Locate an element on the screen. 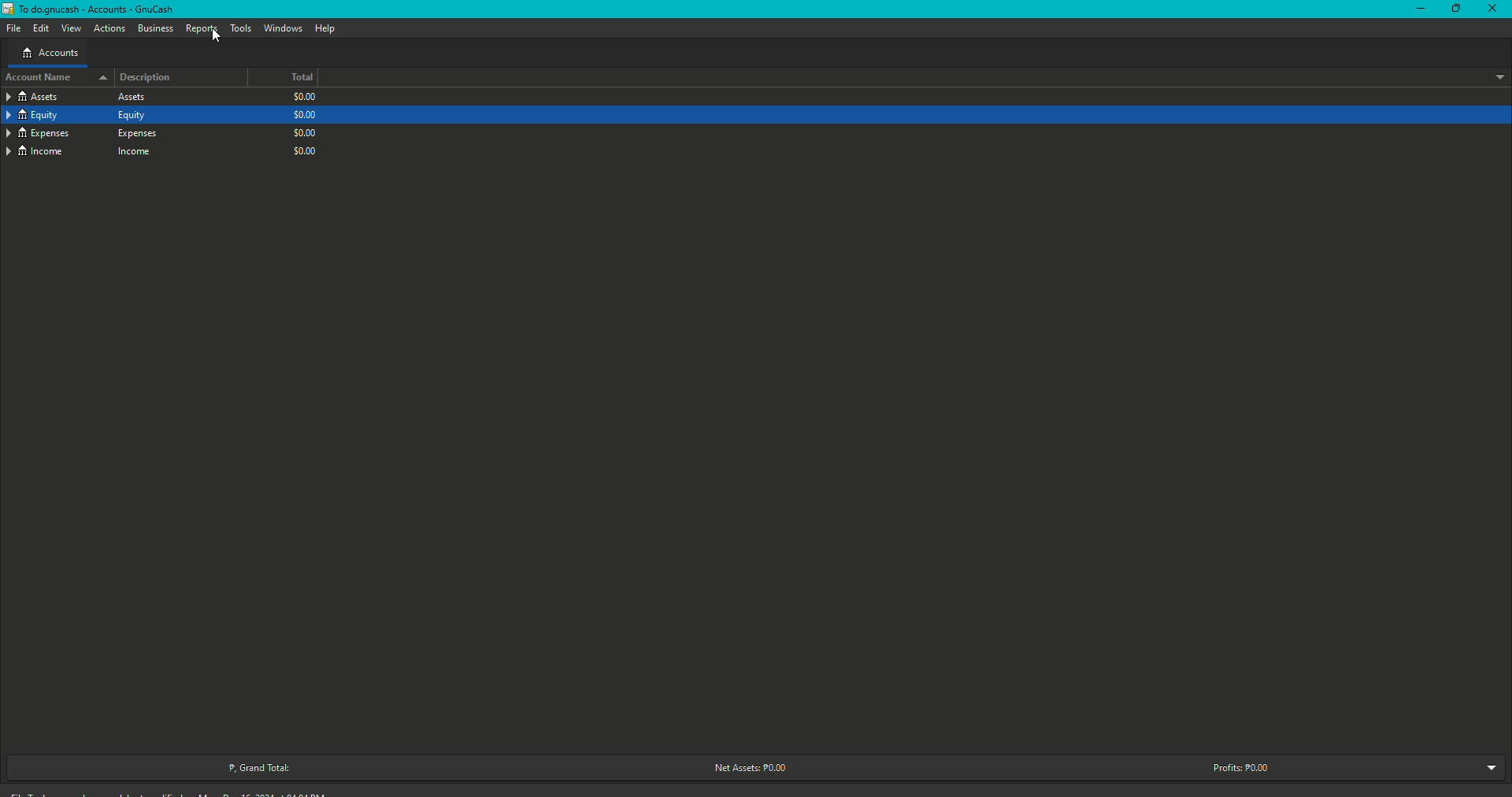 Image resolution: width=1512 pixels, height=797 pixels. Tools is located at coordinates (243, 27).